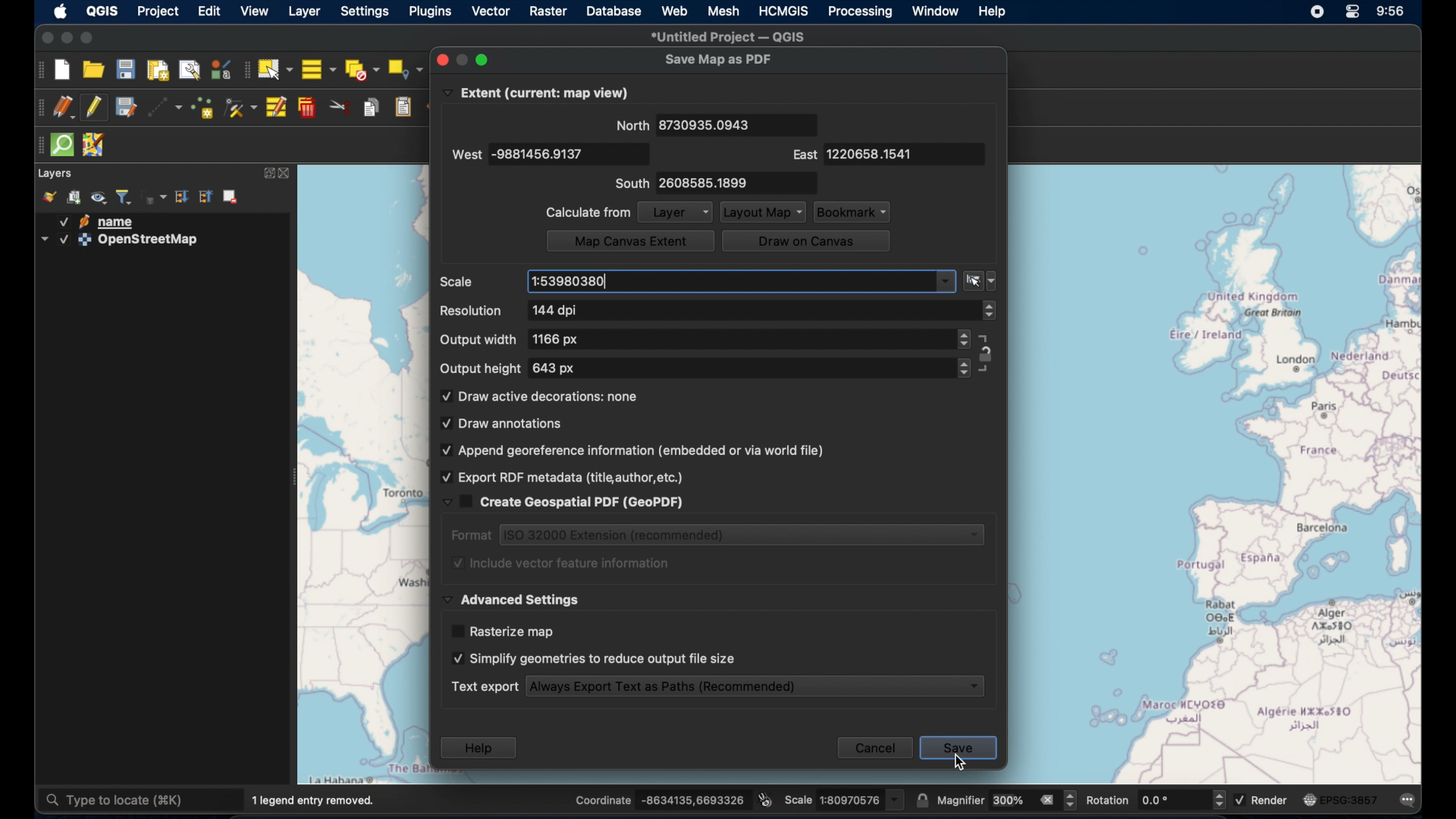 The width and height of the screenshot is (1456, 819). Describe the element at coordinates (570, 281) in the screenshot. I see `1:53980380` at that location.